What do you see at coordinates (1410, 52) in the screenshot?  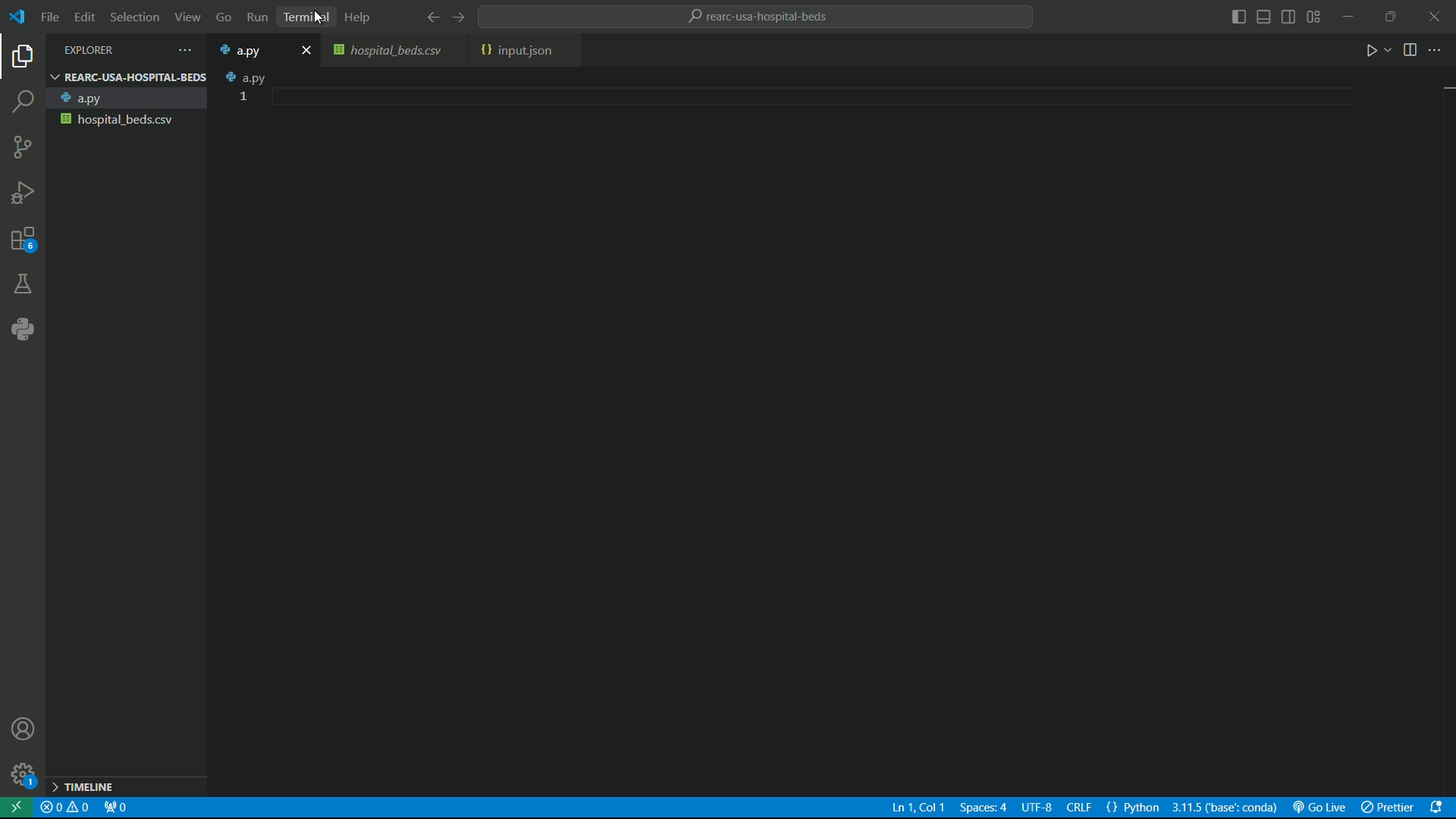 I see `split editor` at bounding box center [1410, 52].